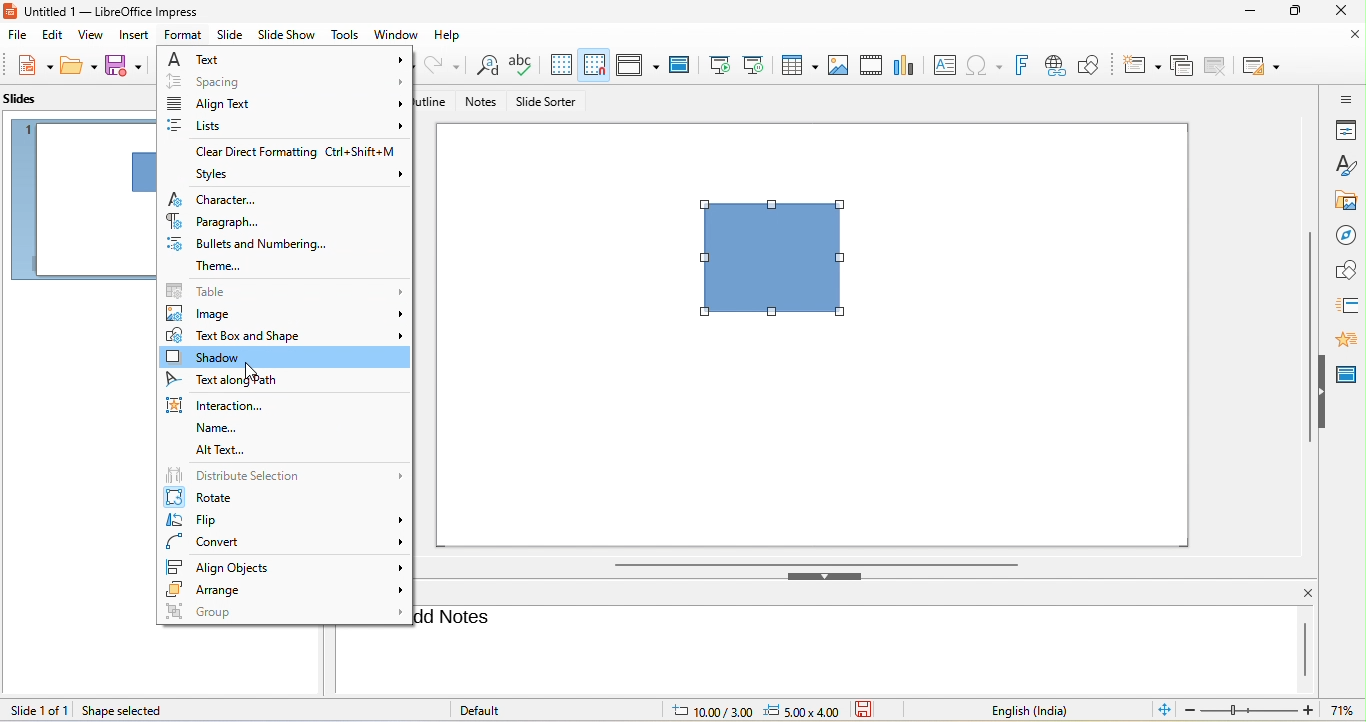 This screenshot has width=1366, height=722. I want to click on flip, so click(285, 520).